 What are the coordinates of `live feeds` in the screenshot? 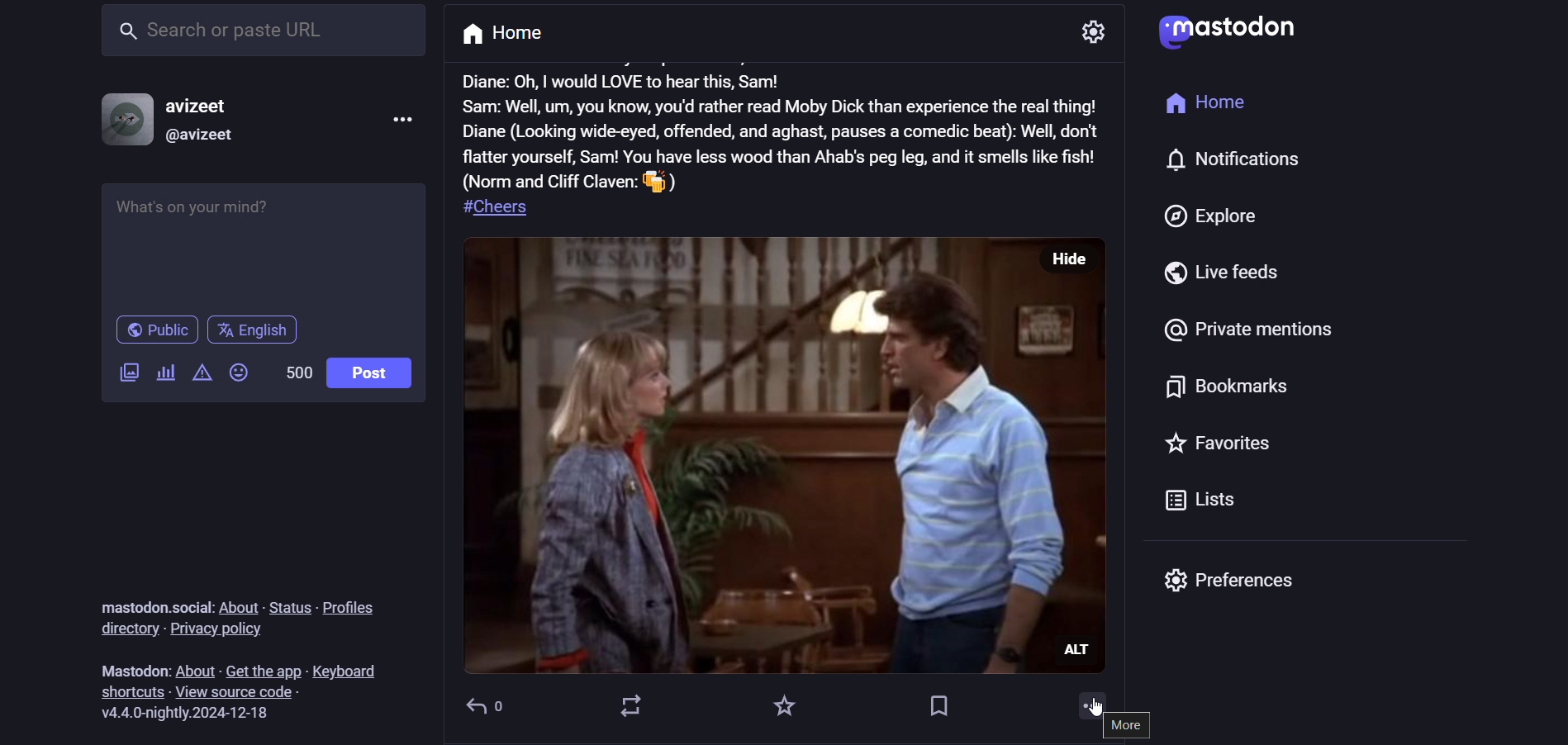 It's located at (1233, 268).